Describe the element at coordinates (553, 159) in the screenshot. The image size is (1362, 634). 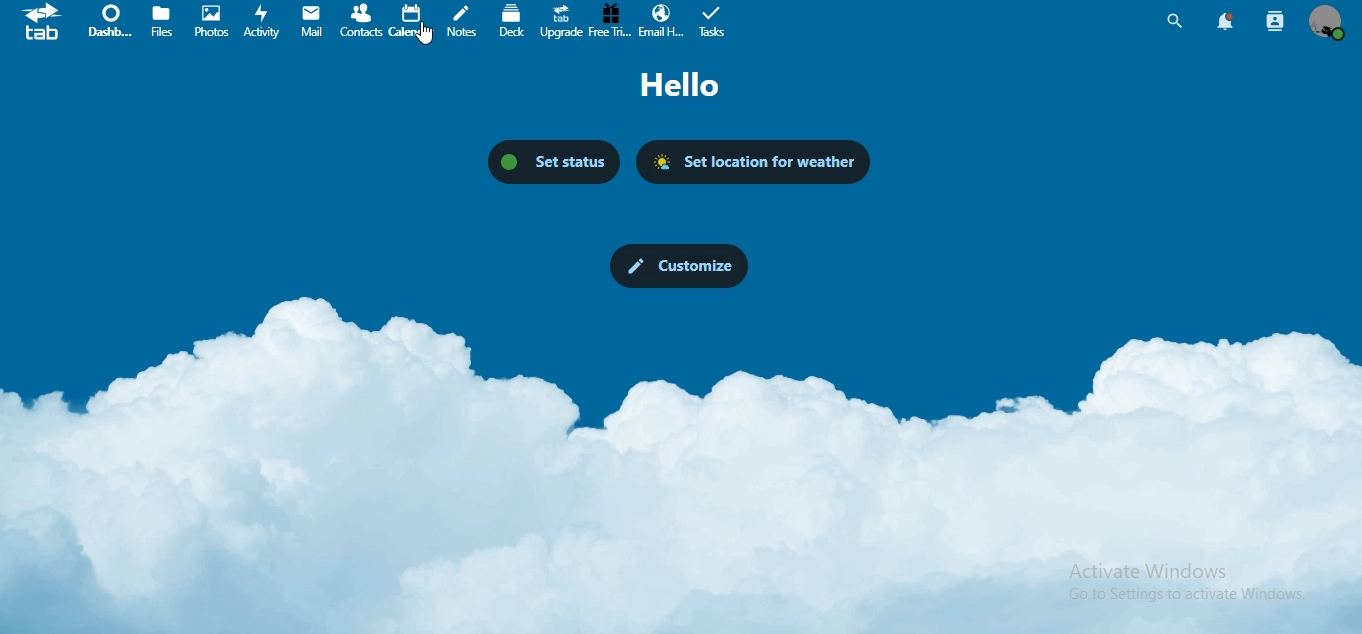
I see `set status` at that location.